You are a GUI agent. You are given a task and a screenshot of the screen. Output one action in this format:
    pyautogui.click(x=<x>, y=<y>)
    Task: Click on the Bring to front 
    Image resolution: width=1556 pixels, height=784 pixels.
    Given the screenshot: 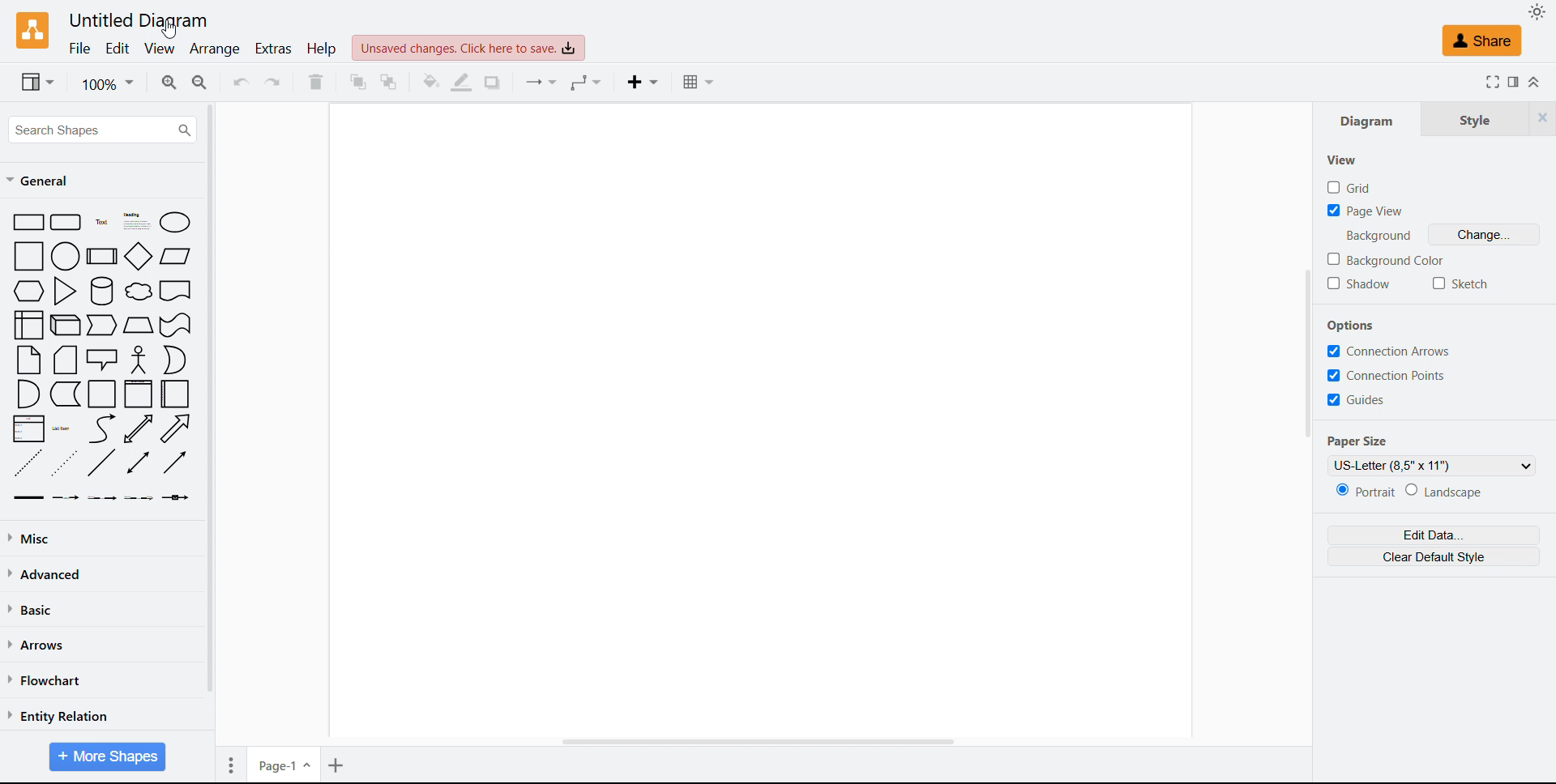 What is the action you would take?
    pyautogui.click(x=357, y=82)
    